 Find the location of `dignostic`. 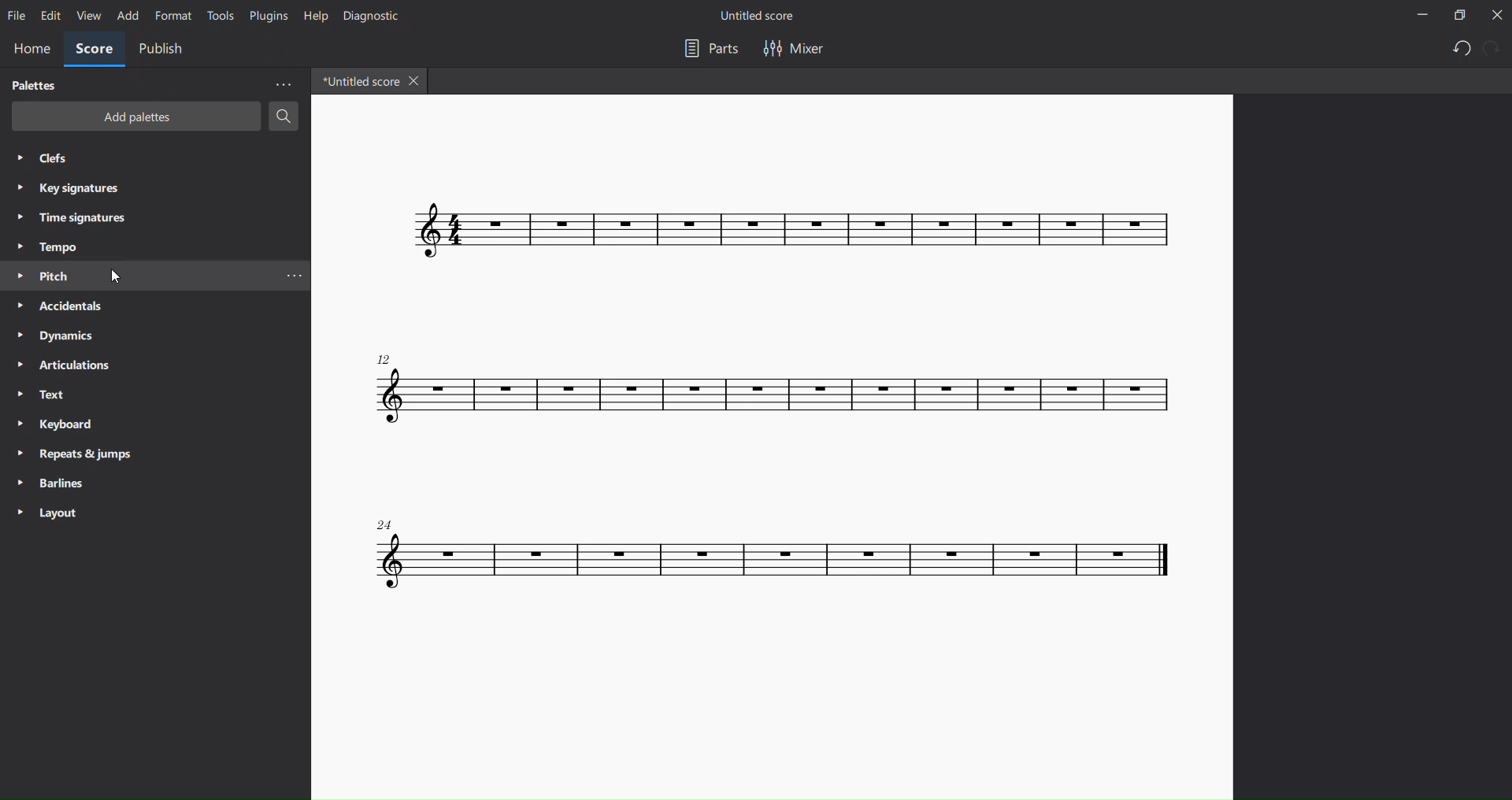

dignostic is located at coordinates (377, 17).